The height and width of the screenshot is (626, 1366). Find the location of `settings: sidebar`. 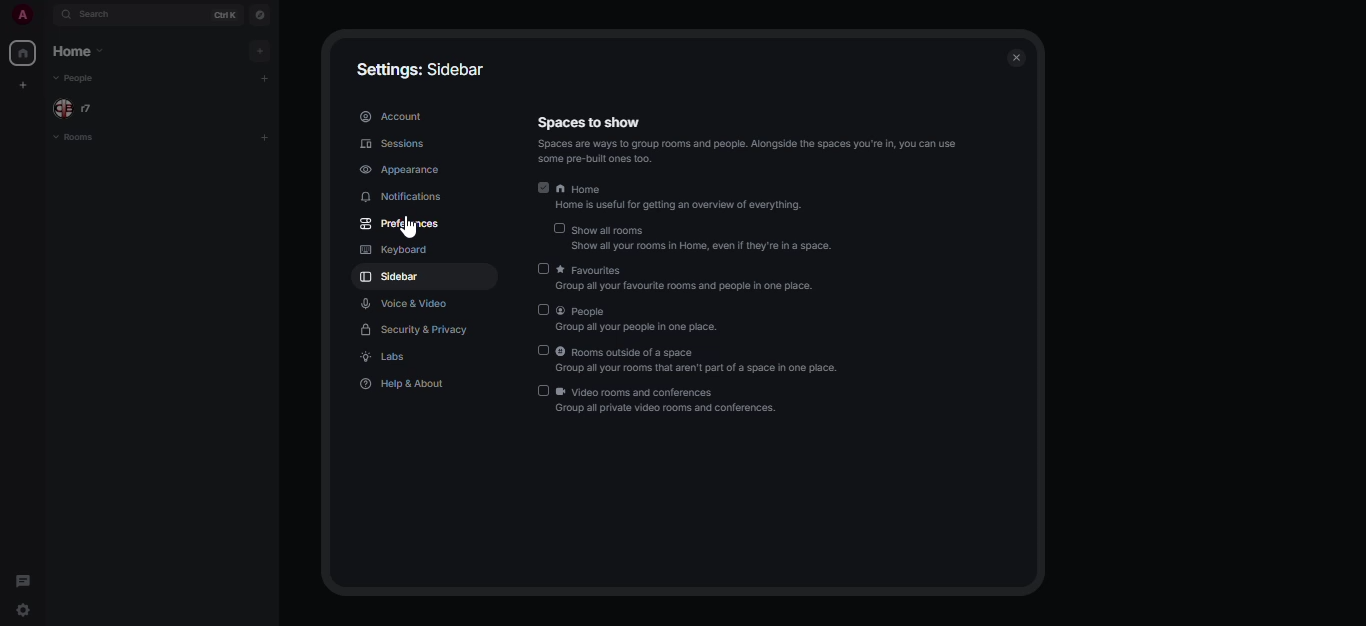

settings: sidebar is located at coordinates (419, 67).